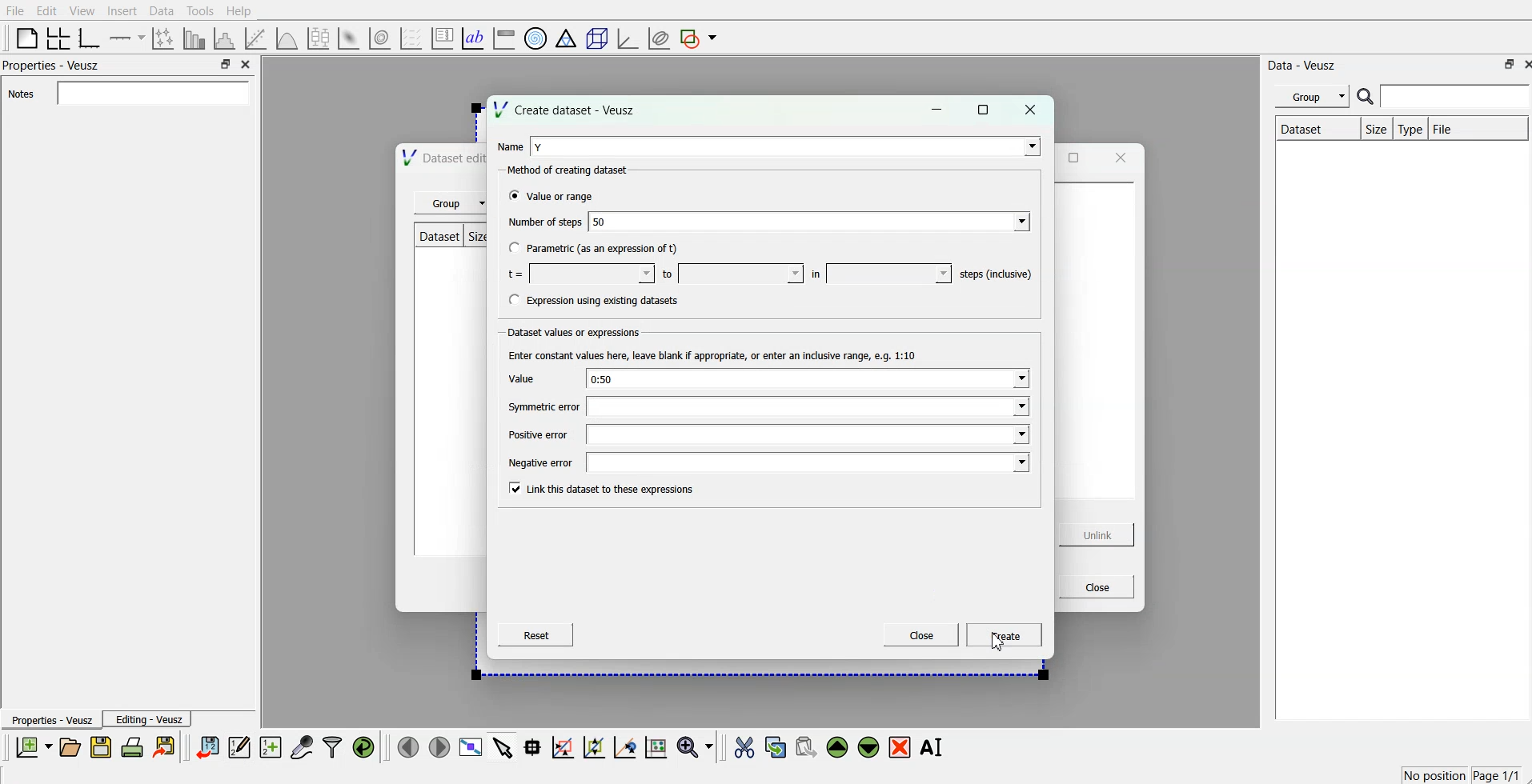 Image resolution: width=1532 pixels, height=784 pixels. I want to click on close, so click(1522, 64).